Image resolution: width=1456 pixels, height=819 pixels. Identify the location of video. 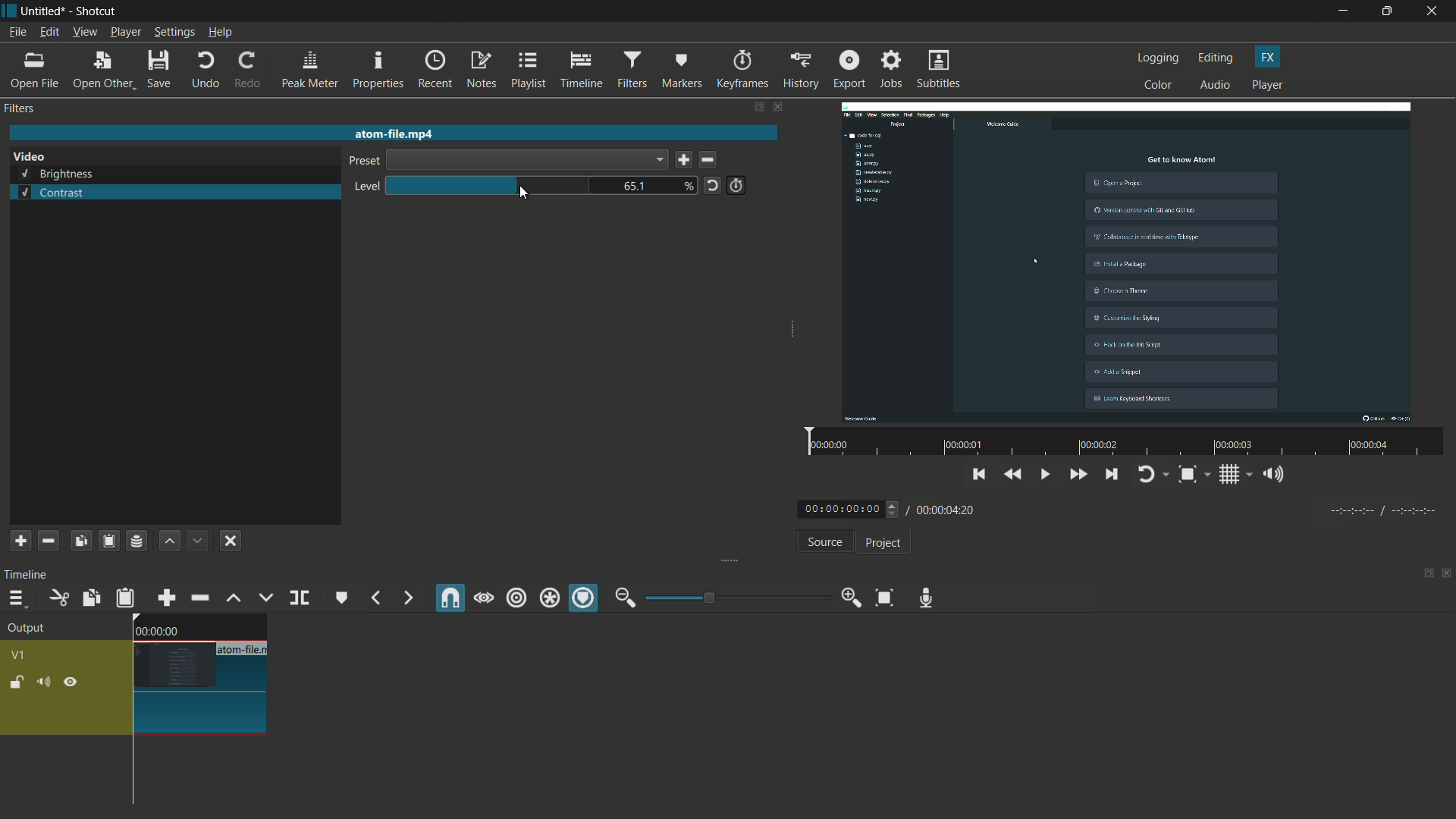
(29, 157).